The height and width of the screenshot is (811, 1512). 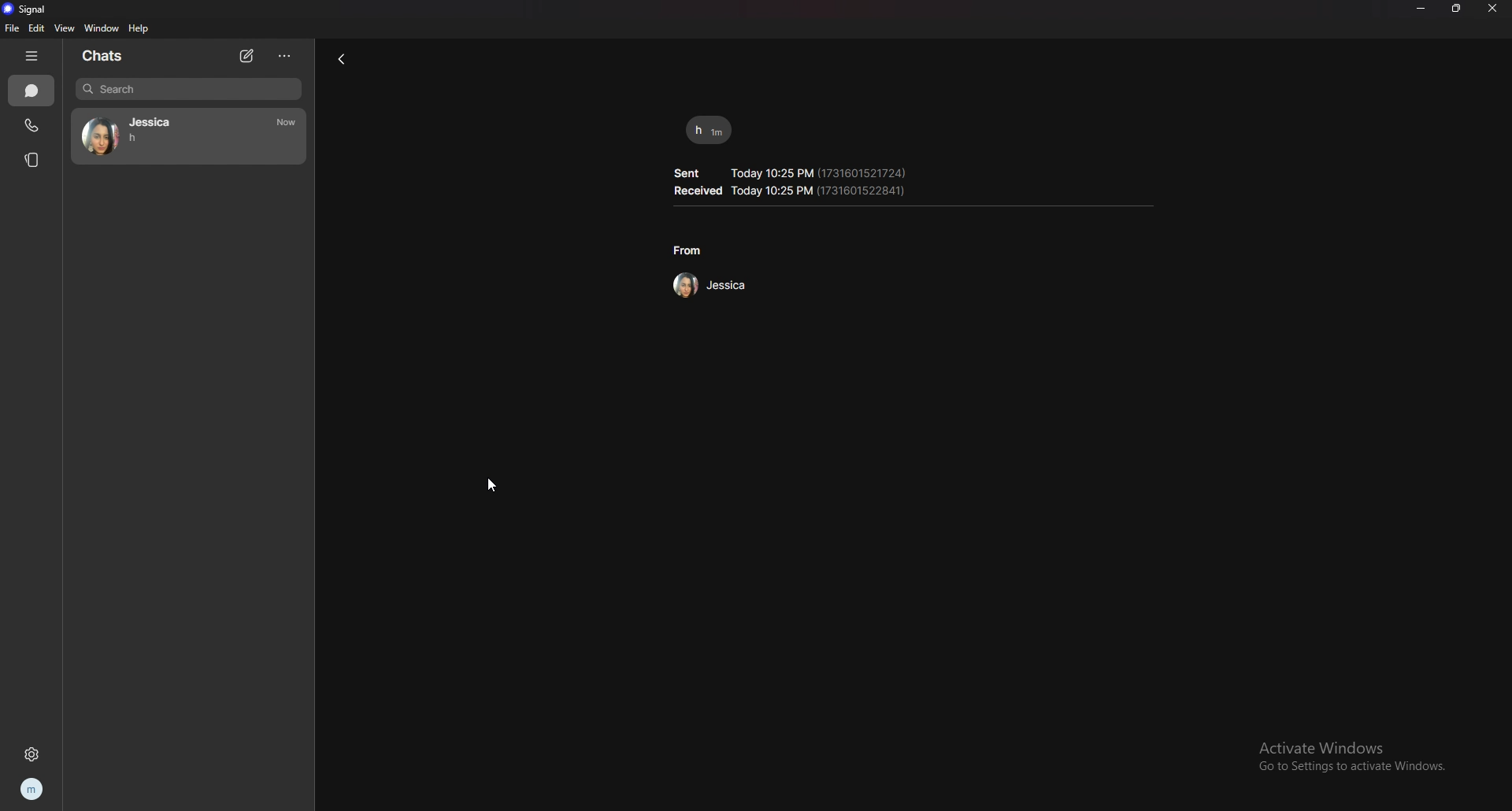 I want to click on back, so click(x=346, y=60).